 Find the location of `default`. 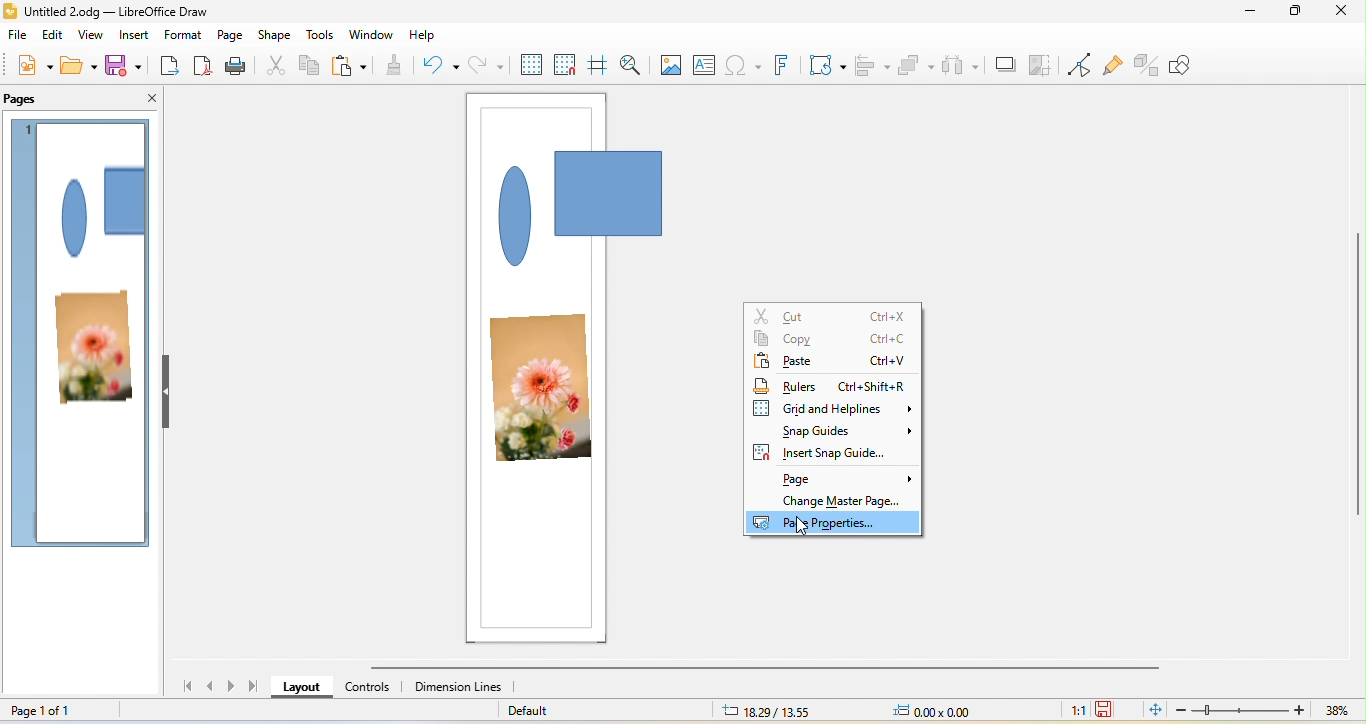

default is located at coordinates (582, 711).